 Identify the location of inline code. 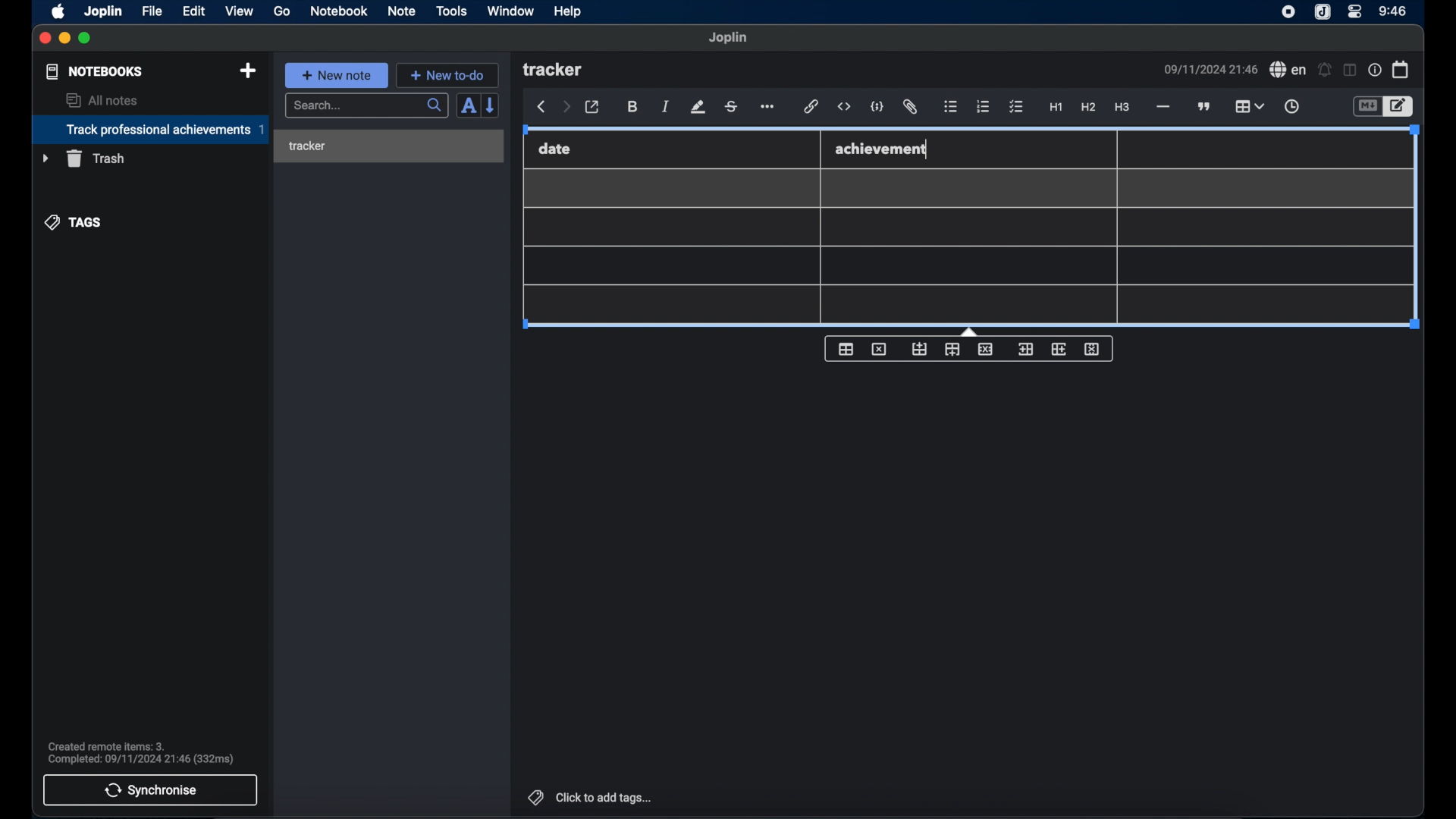
(844, 107).